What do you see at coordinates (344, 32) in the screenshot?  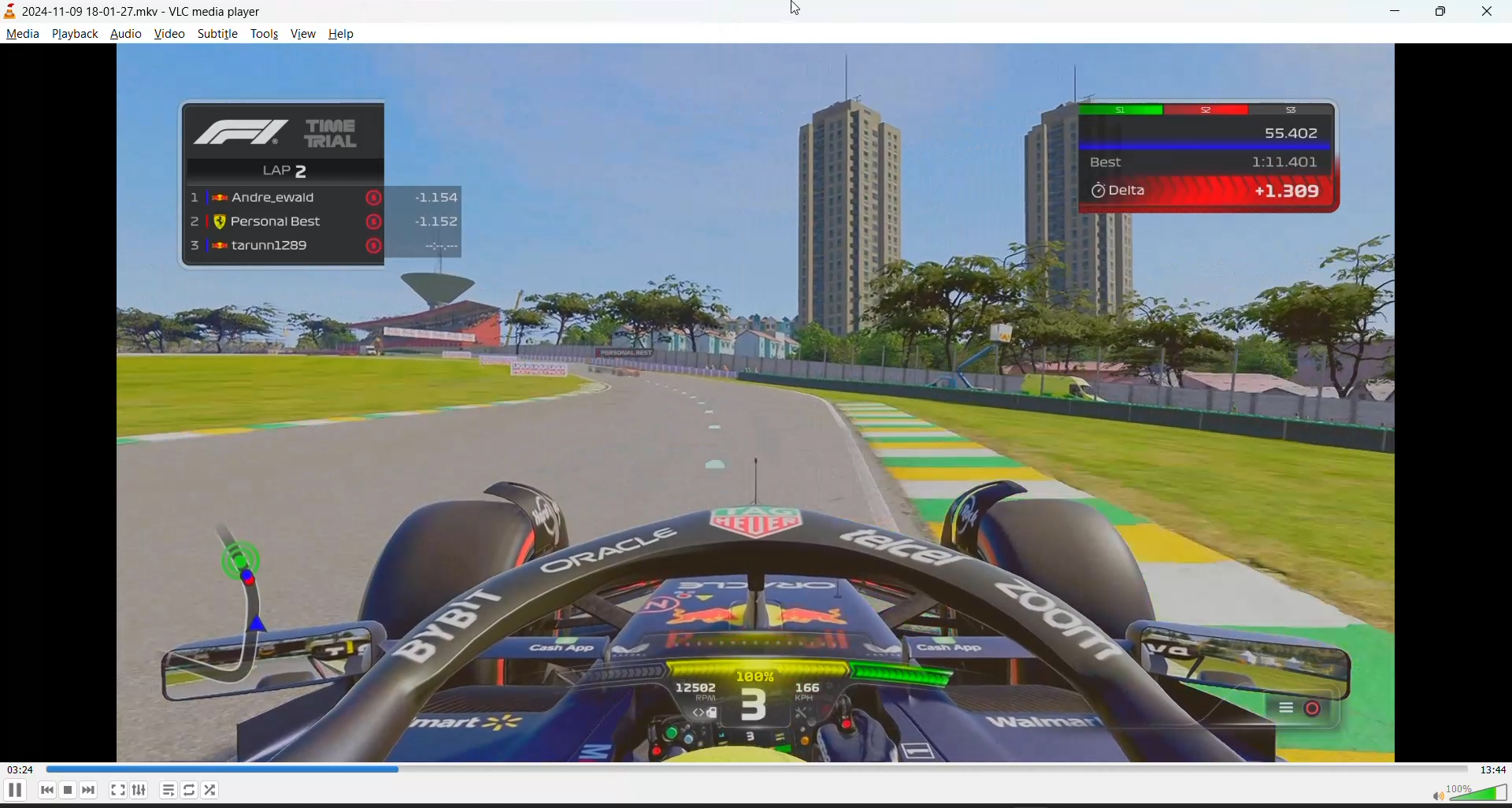 I see `help` at bounding box center [344, 32].